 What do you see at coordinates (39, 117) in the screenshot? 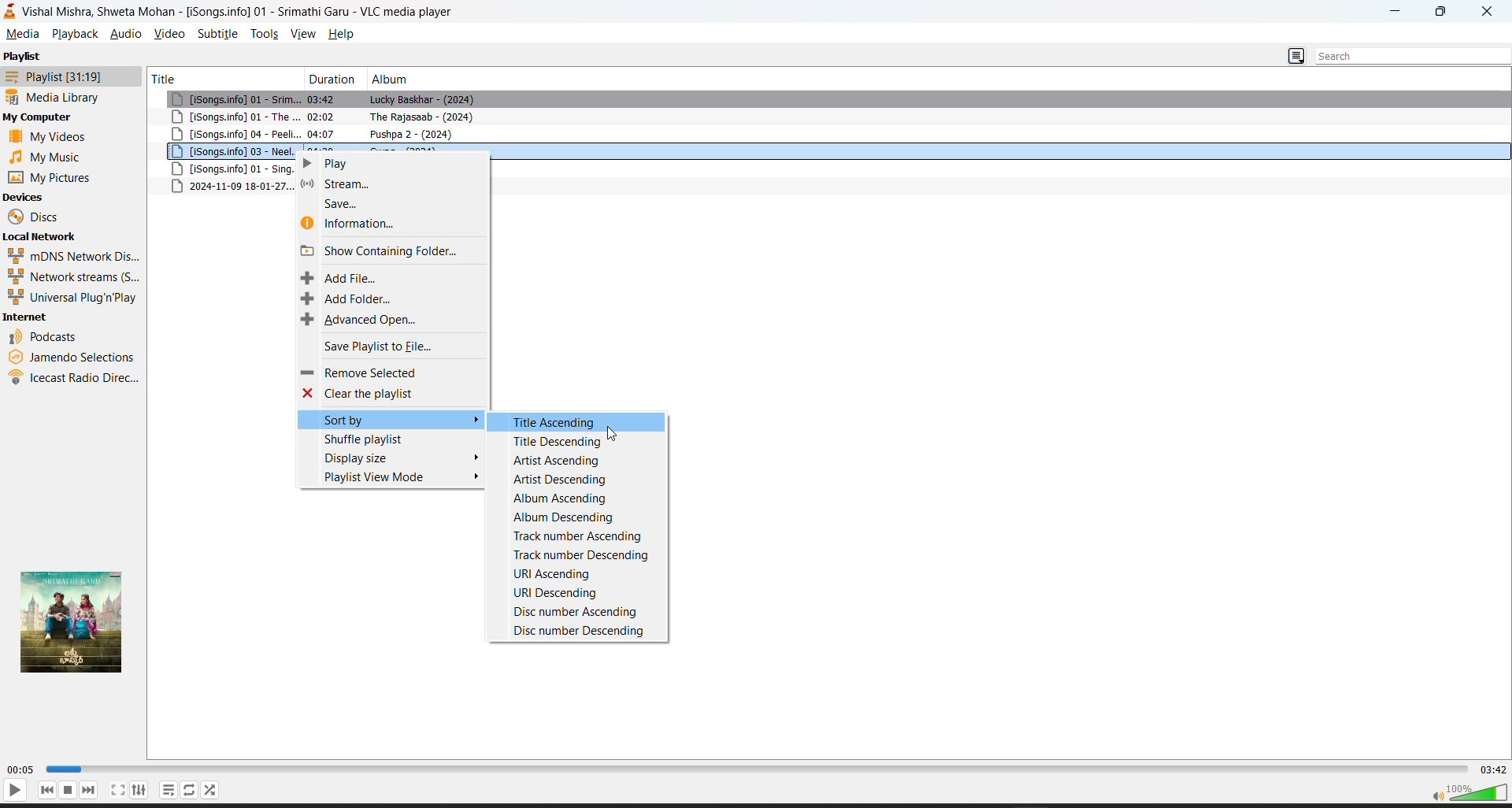
I see `my computer` at bounding box center [39, 117].